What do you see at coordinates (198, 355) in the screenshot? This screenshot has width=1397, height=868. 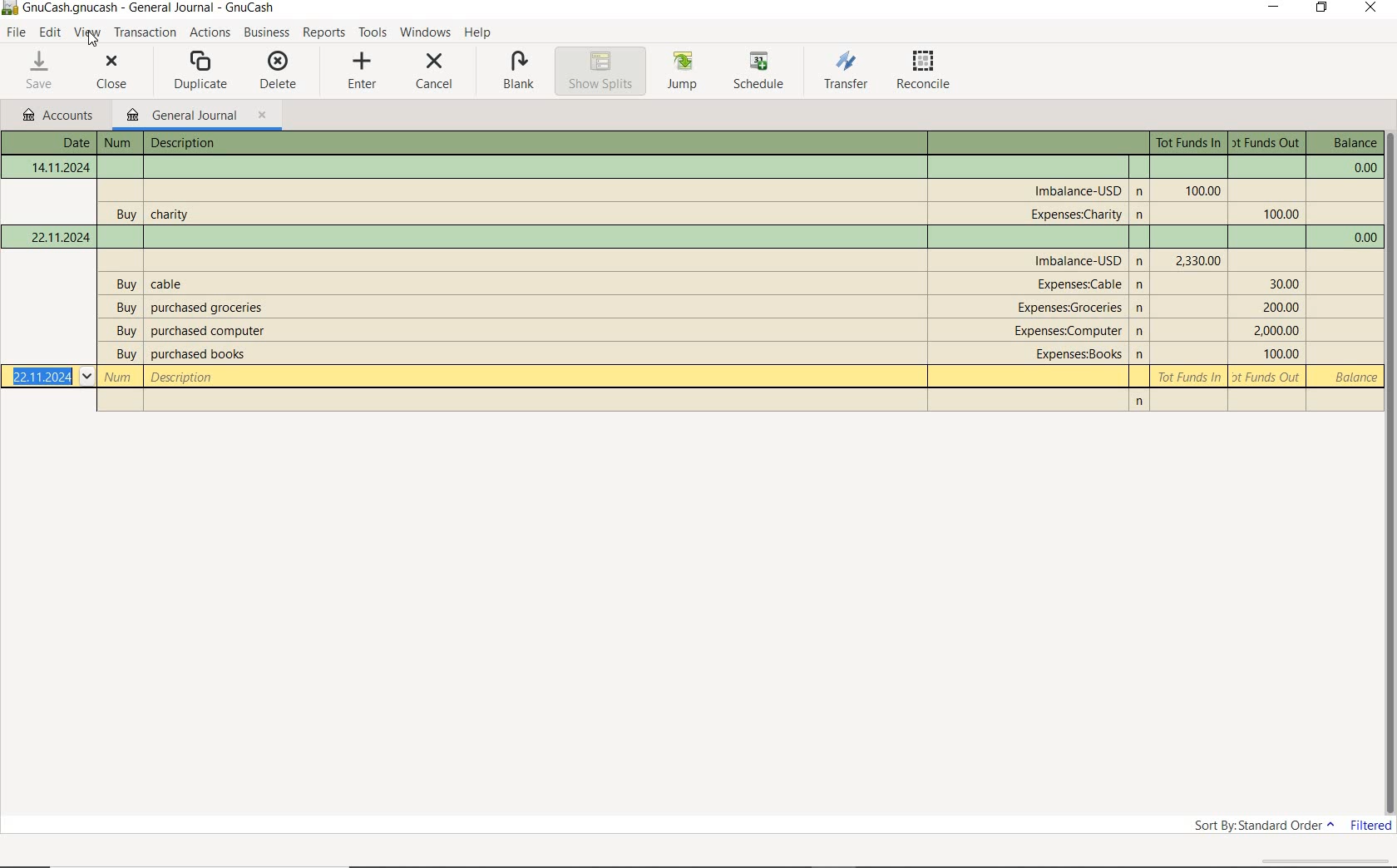 I see `description` at bounding box center [198, 355].